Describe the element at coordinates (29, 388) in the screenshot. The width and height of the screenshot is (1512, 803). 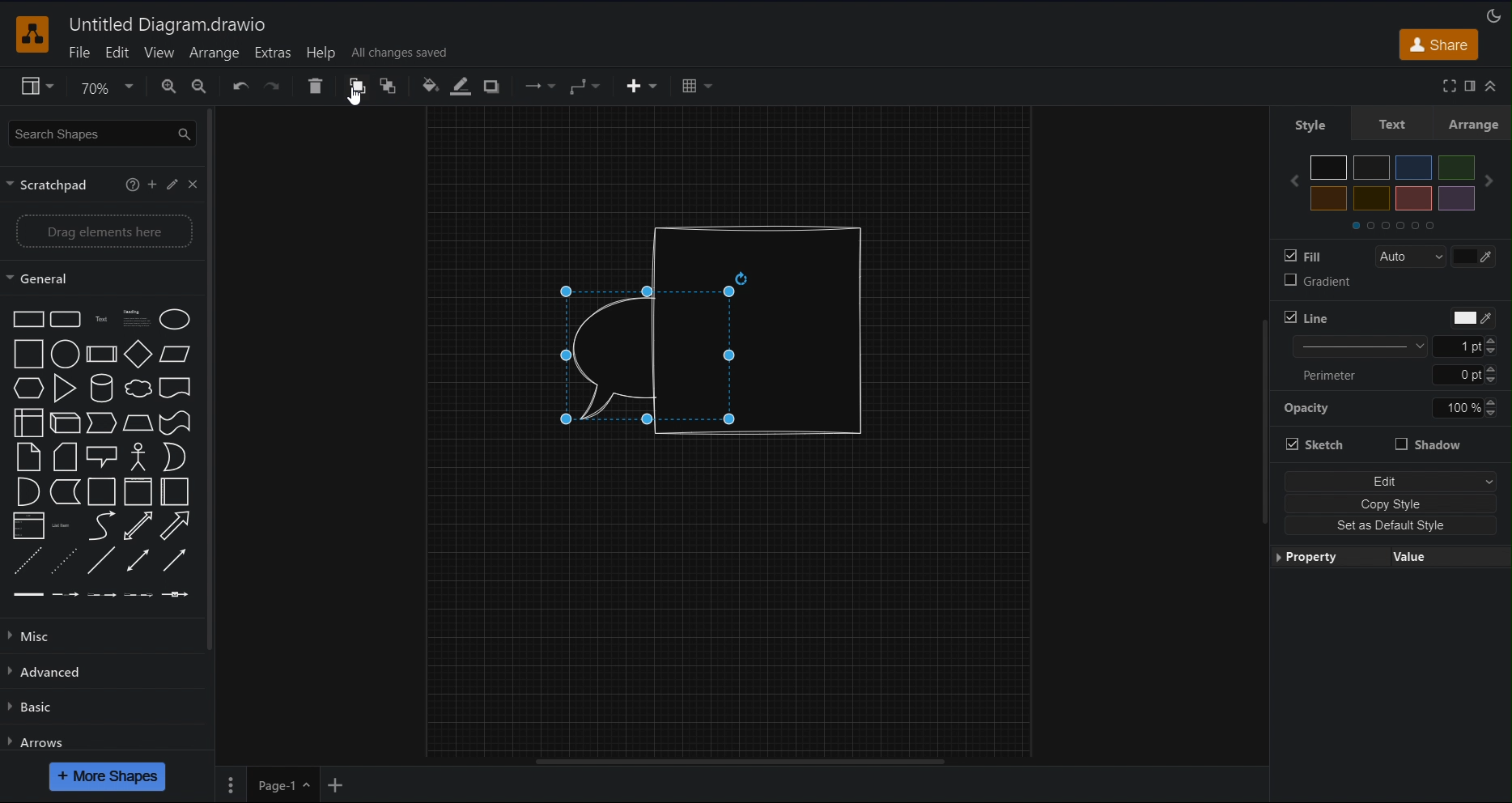
I see `Hexagon` at that location.